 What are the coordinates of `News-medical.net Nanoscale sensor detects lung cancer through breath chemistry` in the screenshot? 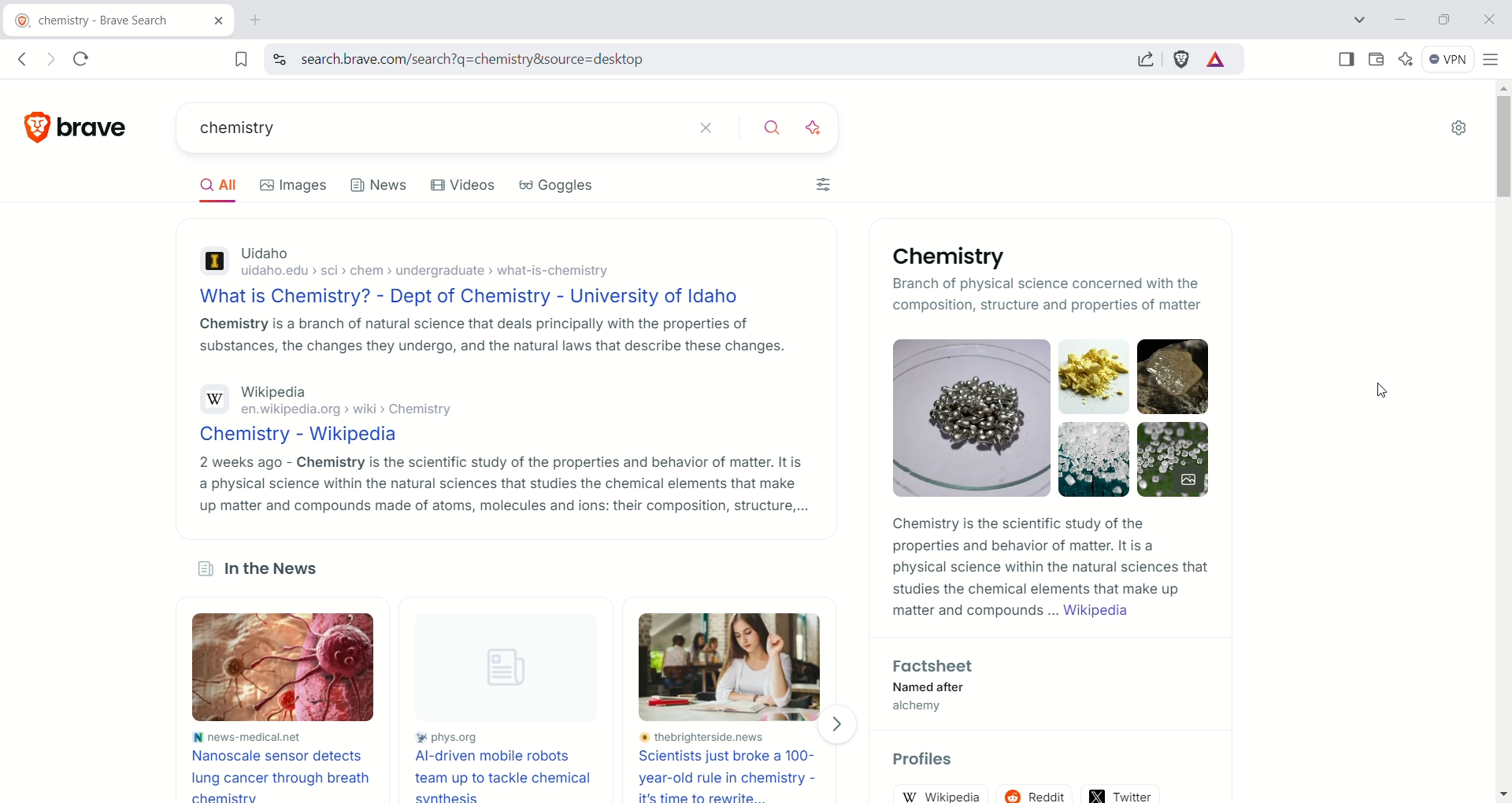 It's located at (280, 765).